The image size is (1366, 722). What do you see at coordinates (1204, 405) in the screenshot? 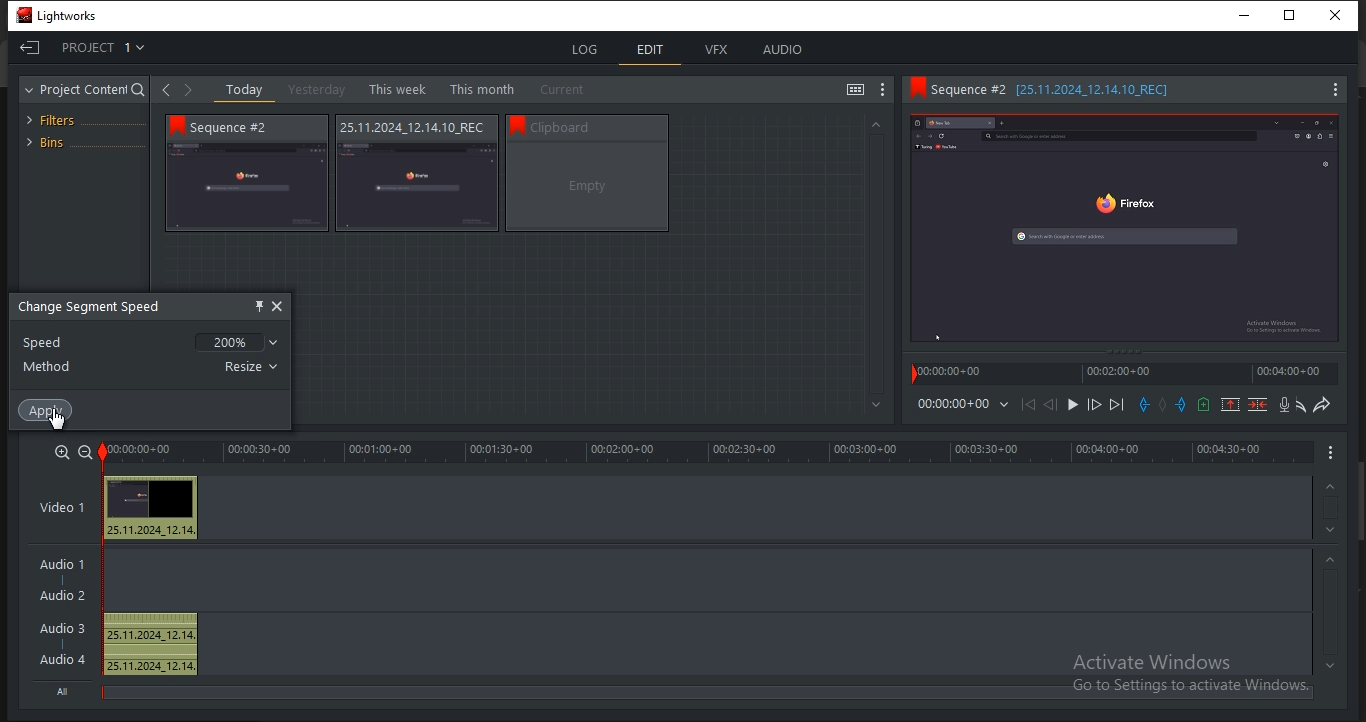
I see `add a cue` at bounding box center [1204, 405].